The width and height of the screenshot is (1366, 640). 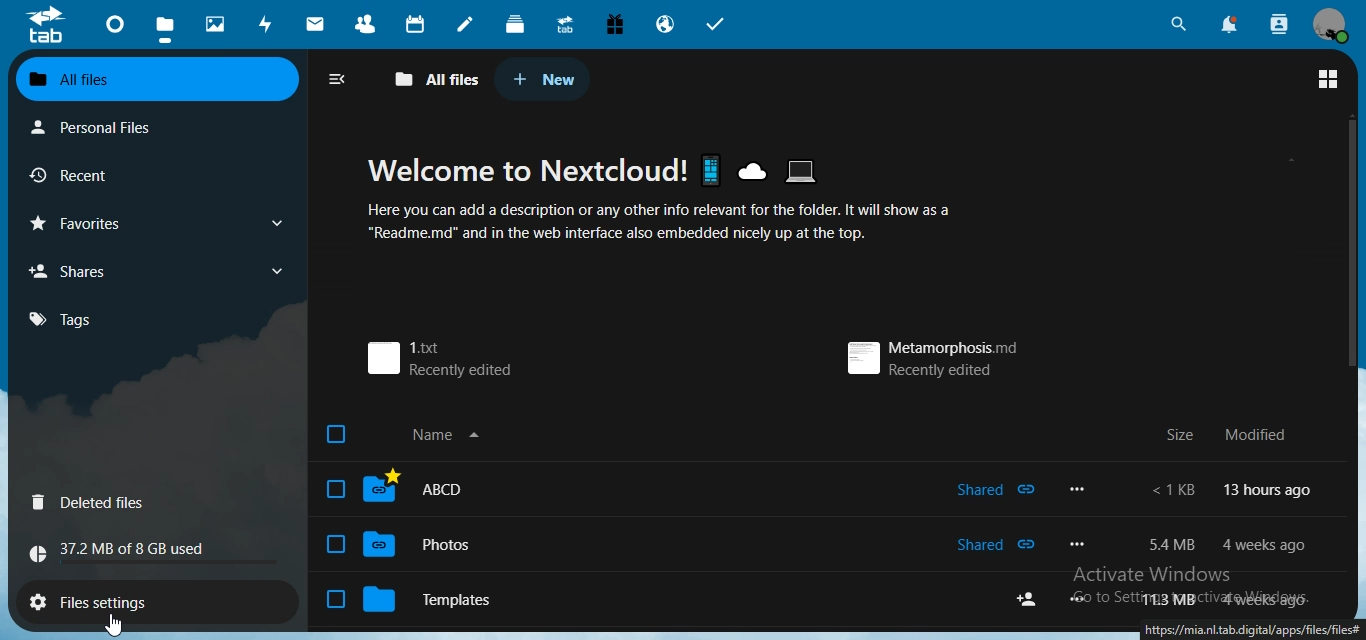 I want to click on shared, so click(x=997, y=488).